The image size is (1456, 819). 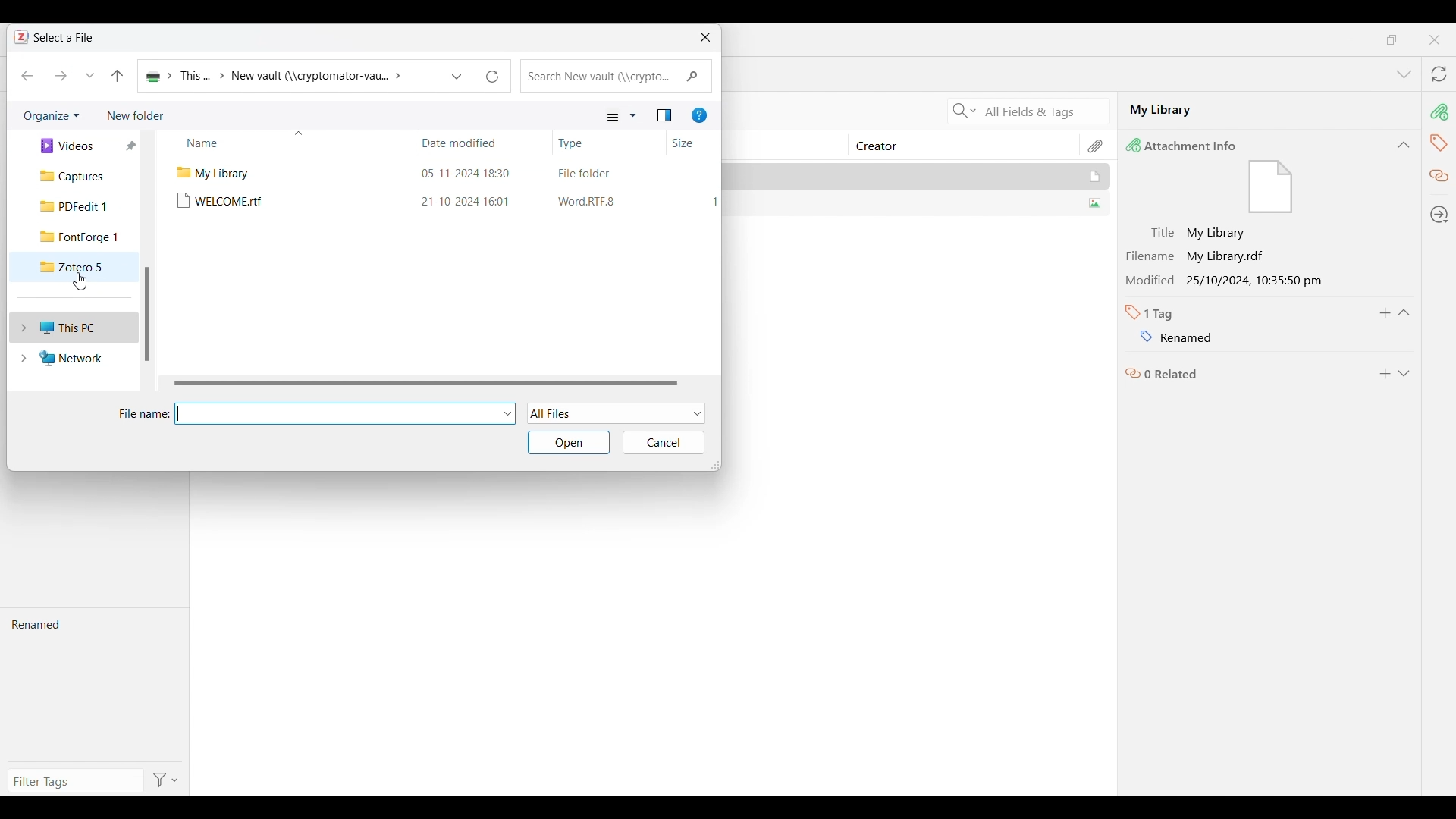 I want to click on Type in filter tags, so click(x=75, y=780).